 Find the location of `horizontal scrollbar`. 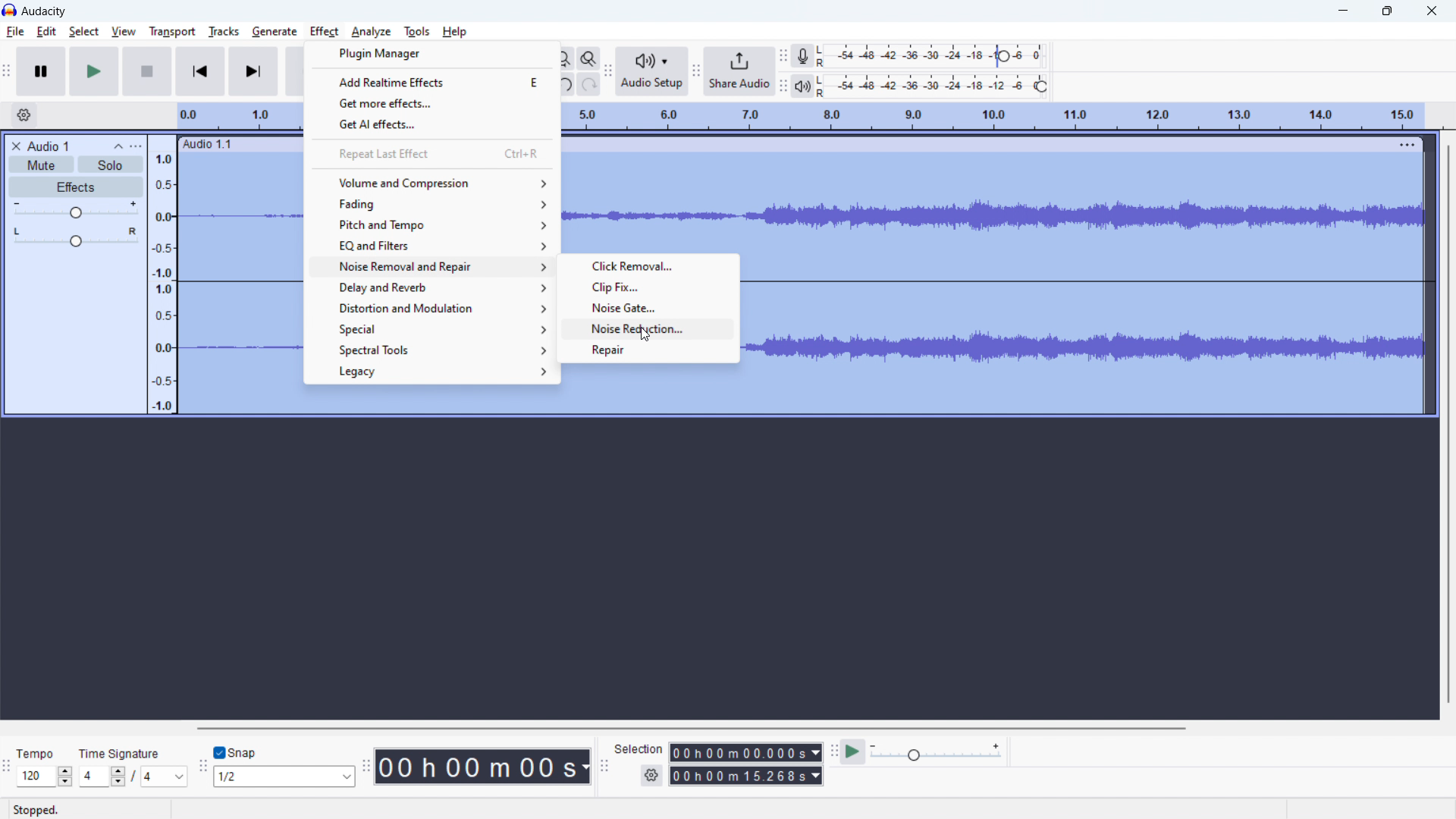

horizontal scrollbar is located at coordinates (692, 729).